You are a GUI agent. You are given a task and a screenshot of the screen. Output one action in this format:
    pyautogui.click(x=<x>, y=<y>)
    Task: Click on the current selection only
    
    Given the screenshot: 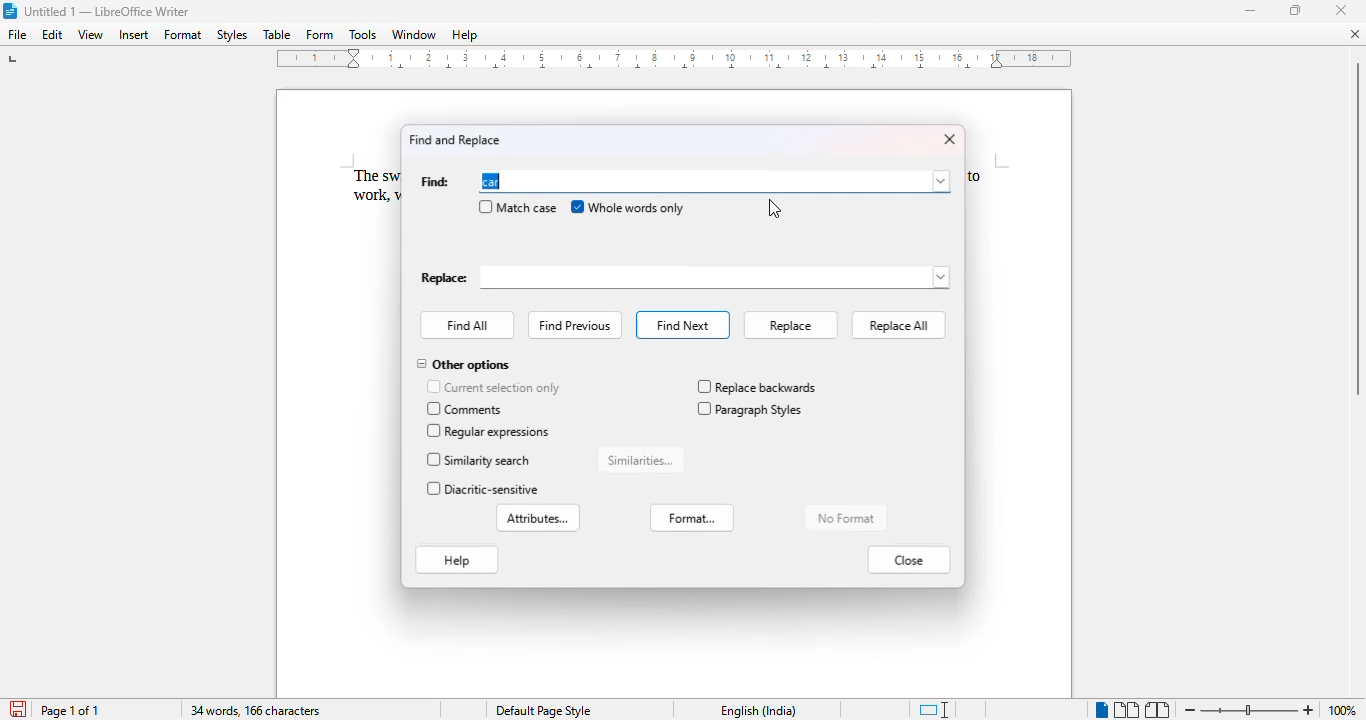 What is the action you would take?
    pyautogui.click(x=493, y=387)
    